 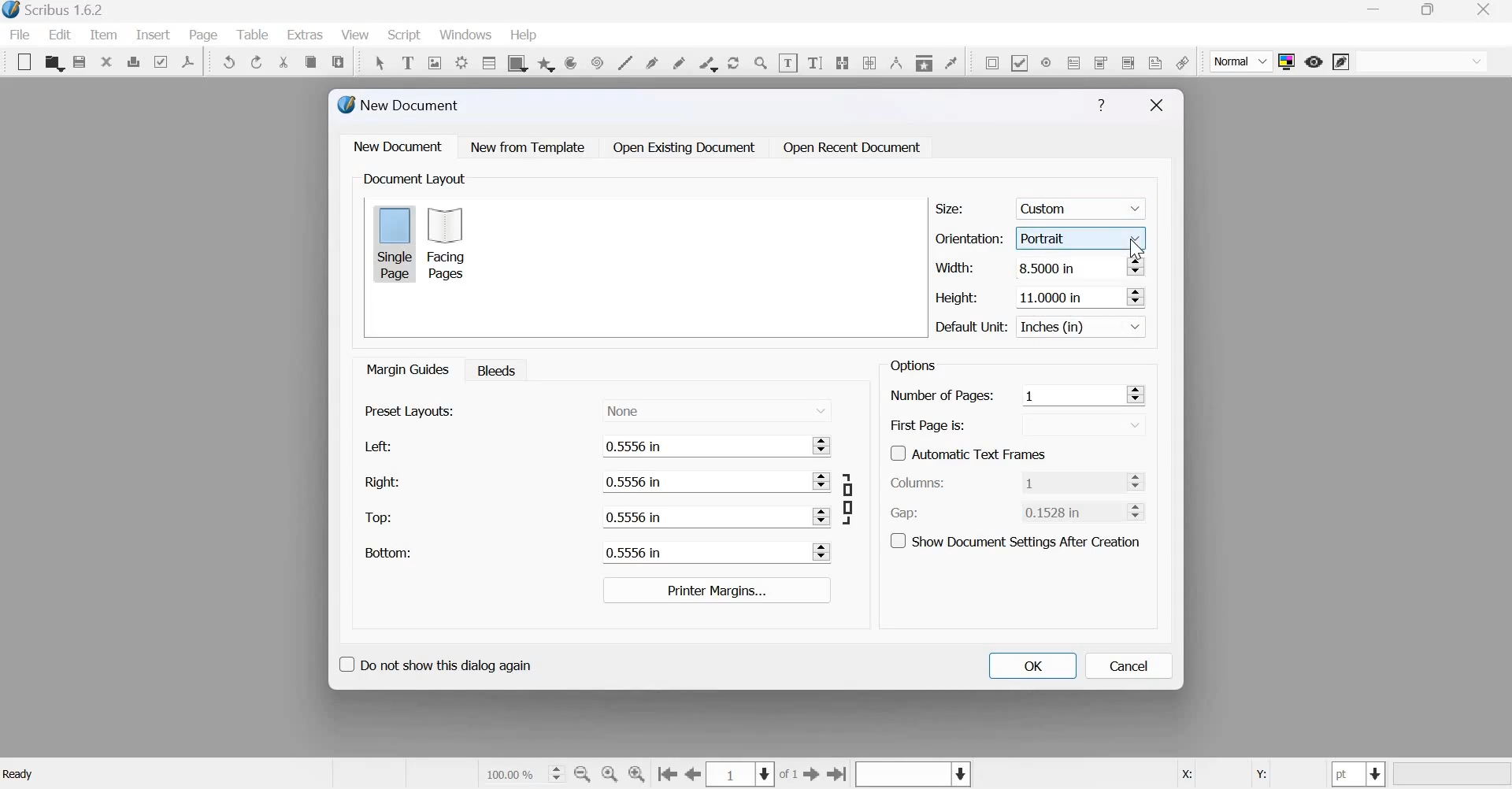 What do you see at coordinates (1074, 61) in the screenshot?
I see `PDF text field` at bounding box center [1074, 61].